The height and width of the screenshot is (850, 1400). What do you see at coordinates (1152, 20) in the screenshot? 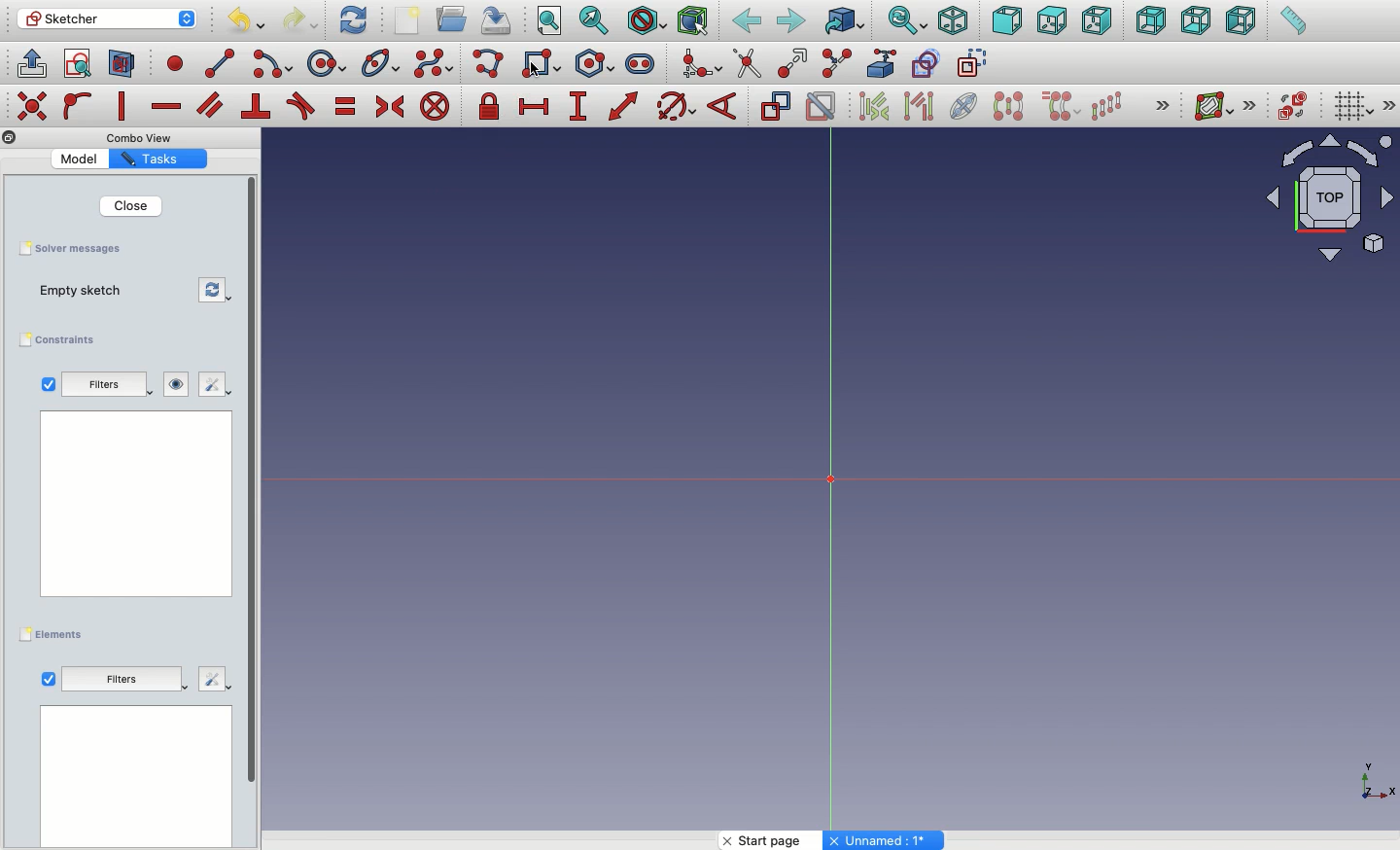
I see `Back` at bounding box center [1152, 20].